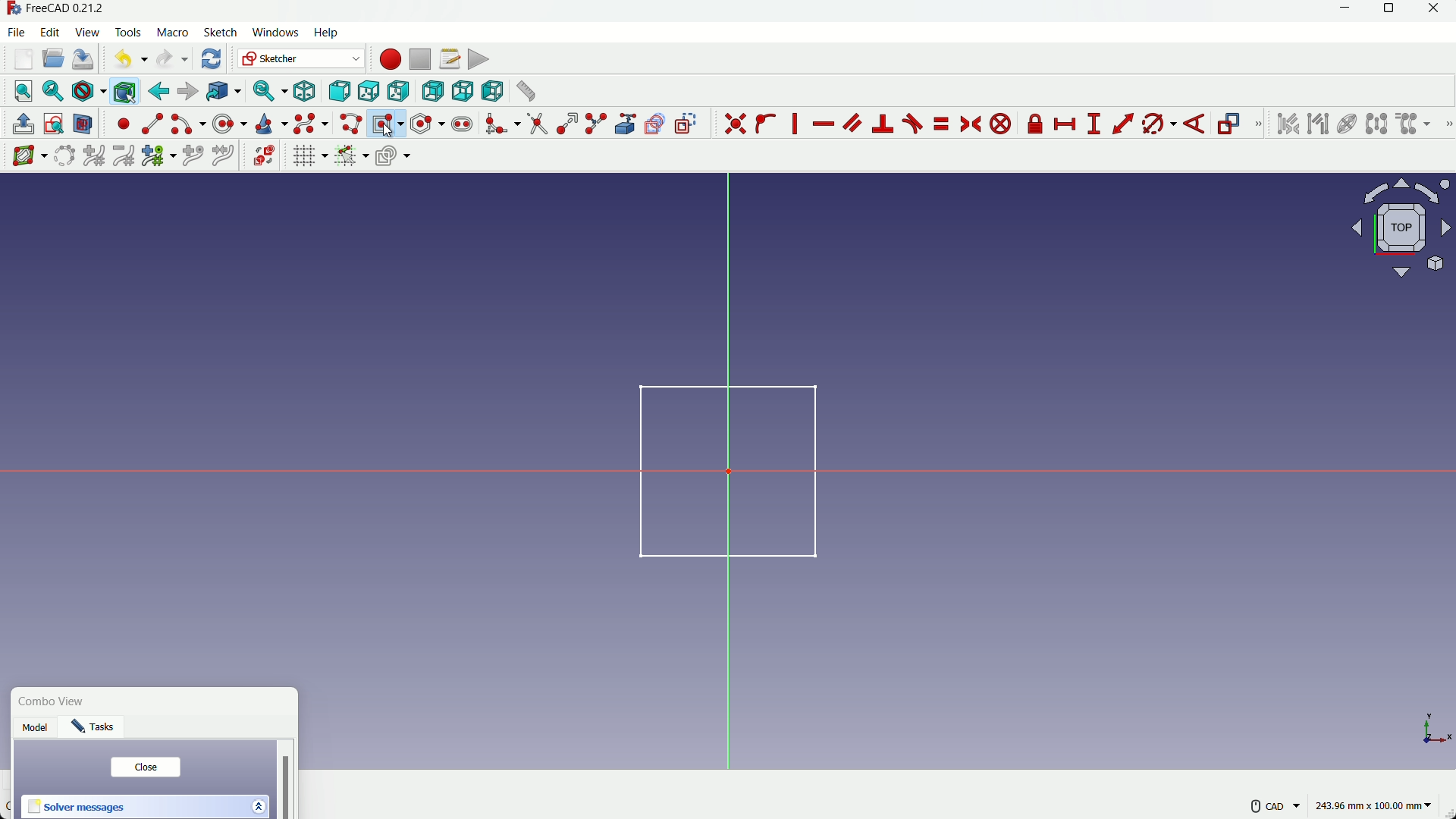 Image resolution: width=1456 pixels, height=819 pixels. I want to click on constraint block, so click(1003, 124).